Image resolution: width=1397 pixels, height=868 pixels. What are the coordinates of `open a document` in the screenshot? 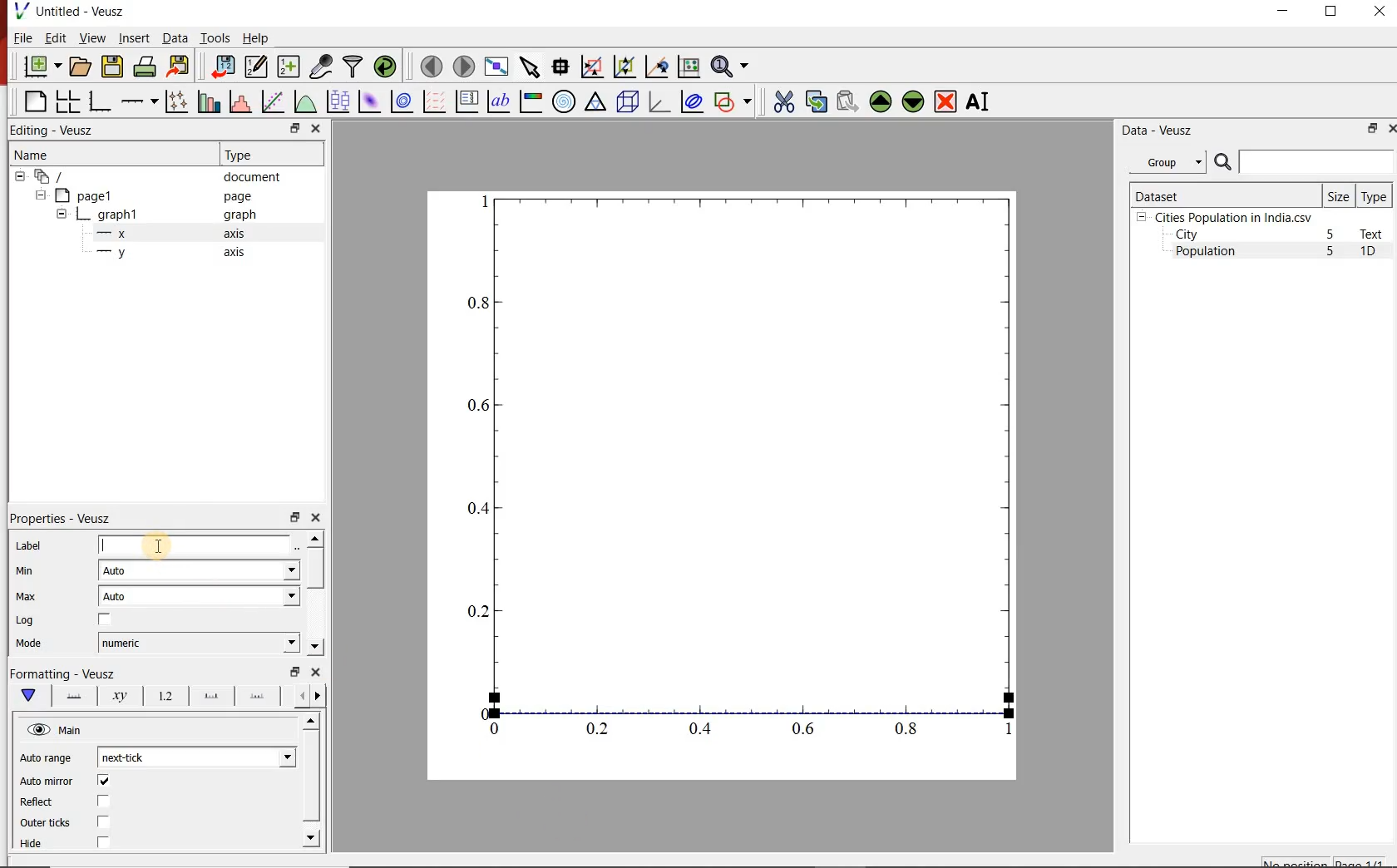 It's located at (79, 67).